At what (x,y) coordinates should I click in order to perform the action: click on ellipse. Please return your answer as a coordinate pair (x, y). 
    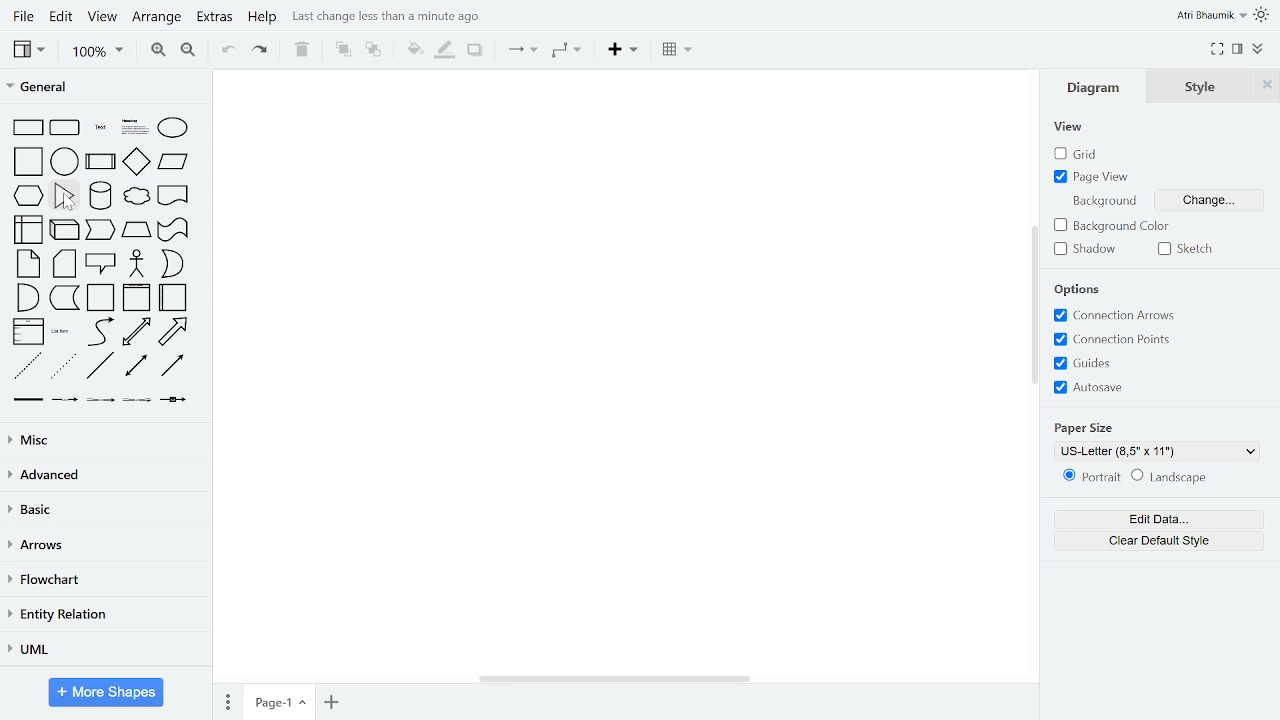
    Looking at the image, I should click on (174, 127).